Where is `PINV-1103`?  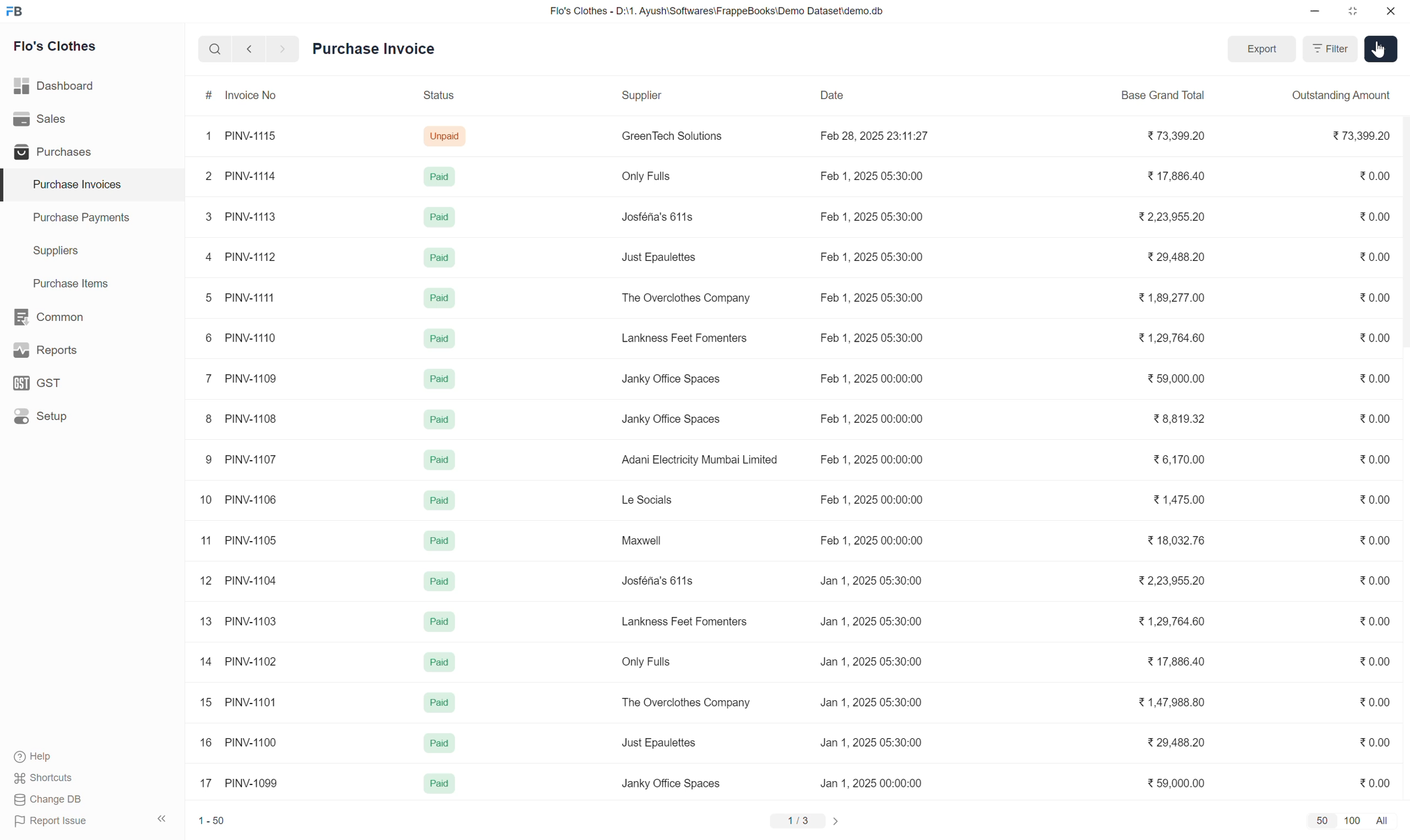
PINV-1103 is located at coordinates (250, 622).